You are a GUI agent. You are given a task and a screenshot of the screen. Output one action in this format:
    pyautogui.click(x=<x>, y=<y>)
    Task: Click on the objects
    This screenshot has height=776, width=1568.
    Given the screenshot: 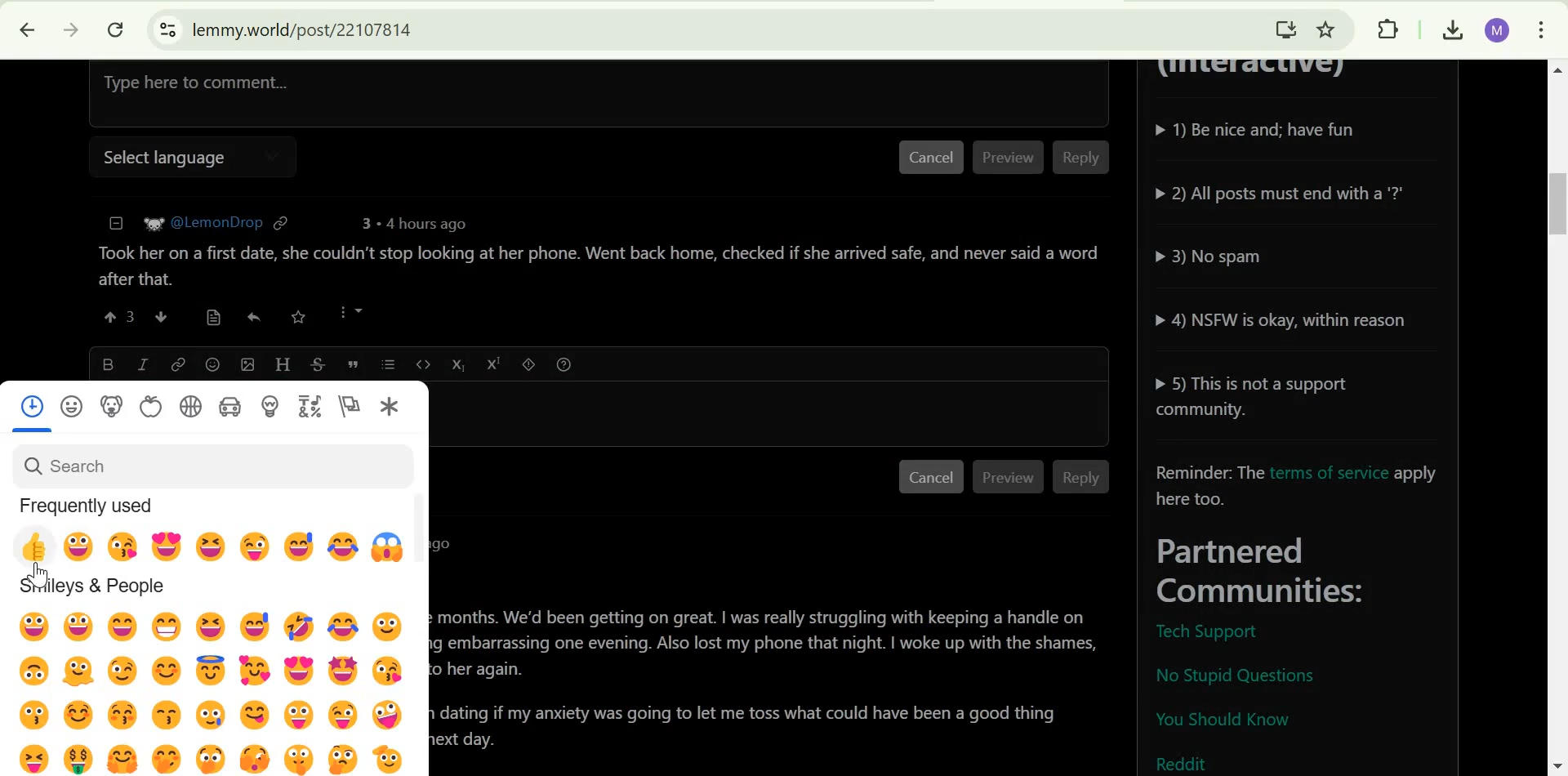 What is the action you would take?
    pyautogui.click(x=269, y=406)
    